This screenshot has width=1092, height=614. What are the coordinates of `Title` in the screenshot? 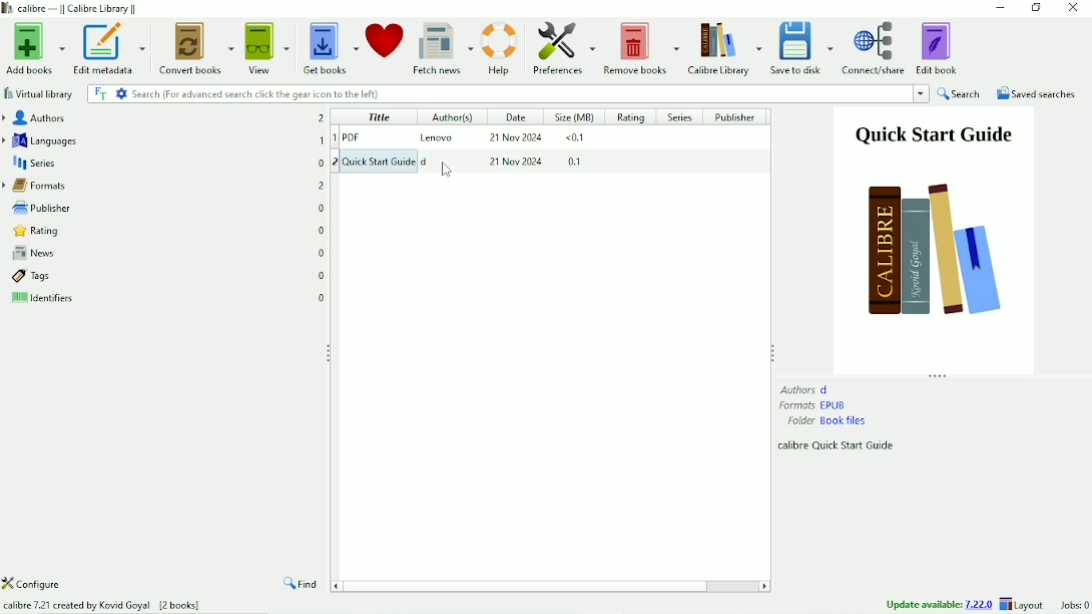 It's located at (378, 116).